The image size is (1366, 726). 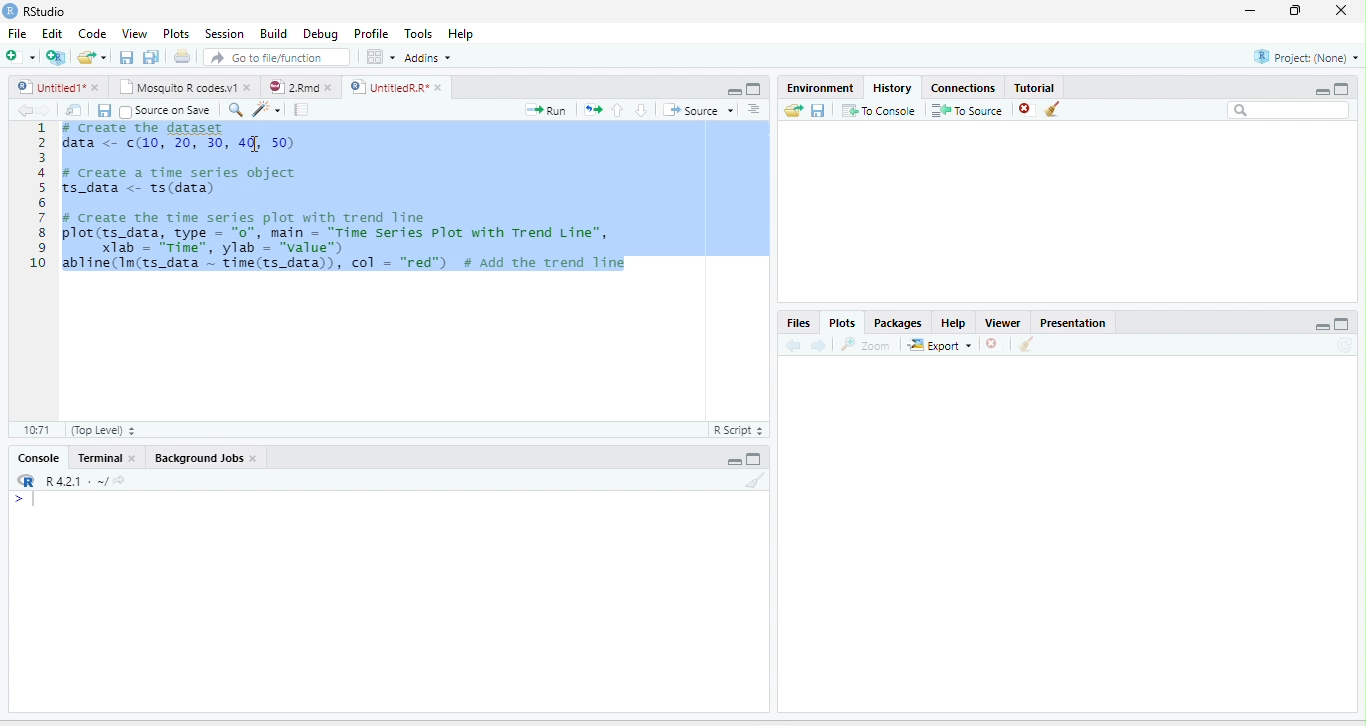 I want to click on close, so click(x=329, y=87).